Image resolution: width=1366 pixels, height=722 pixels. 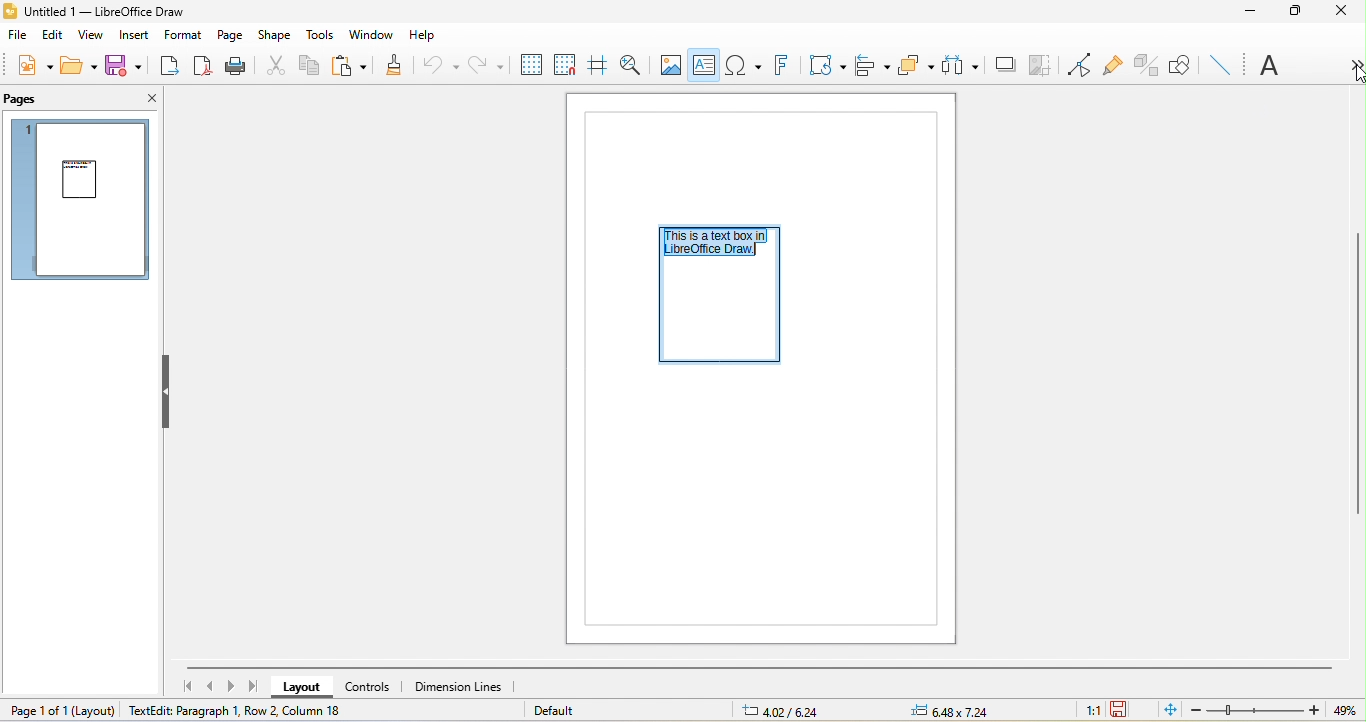 I want to click on close, so click(x=142, y=97).